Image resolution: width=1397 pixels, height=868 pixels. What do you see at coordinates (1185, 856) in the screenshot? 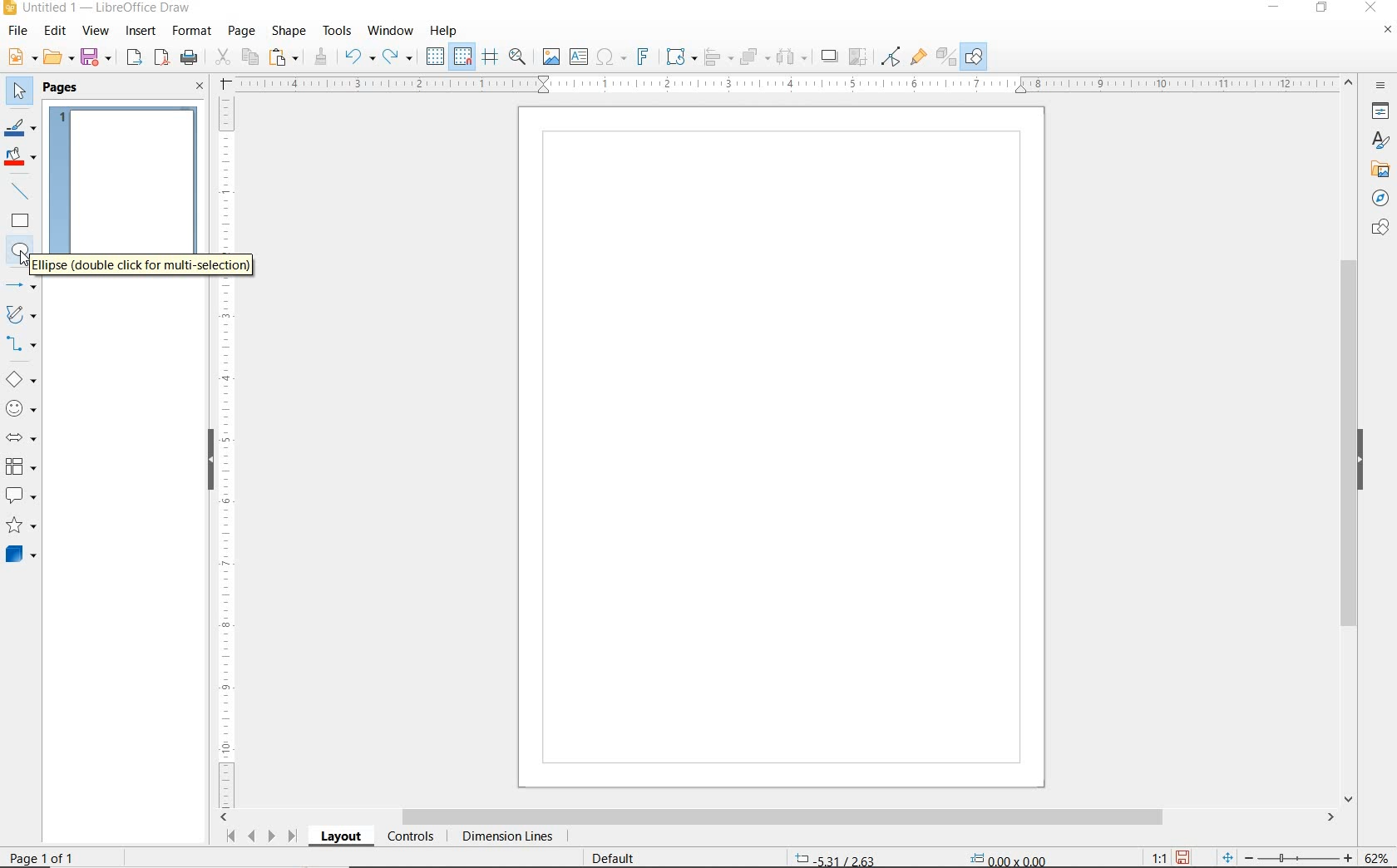
I see `SAVE` at bounding box center [1185, 856].